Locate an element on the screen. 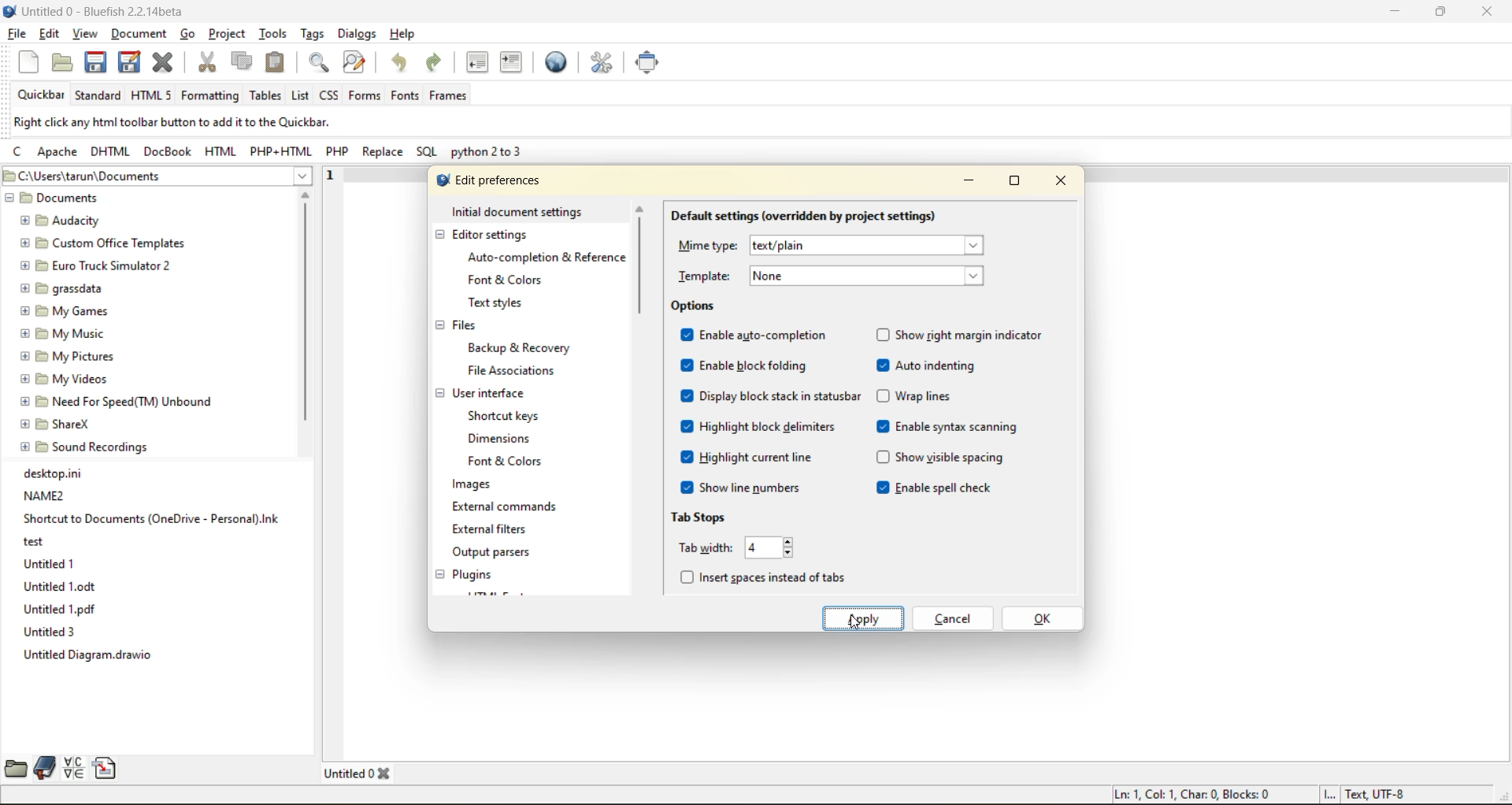 The image size is (1512, 805). BE Audacity is located at coordinates (65, 219).